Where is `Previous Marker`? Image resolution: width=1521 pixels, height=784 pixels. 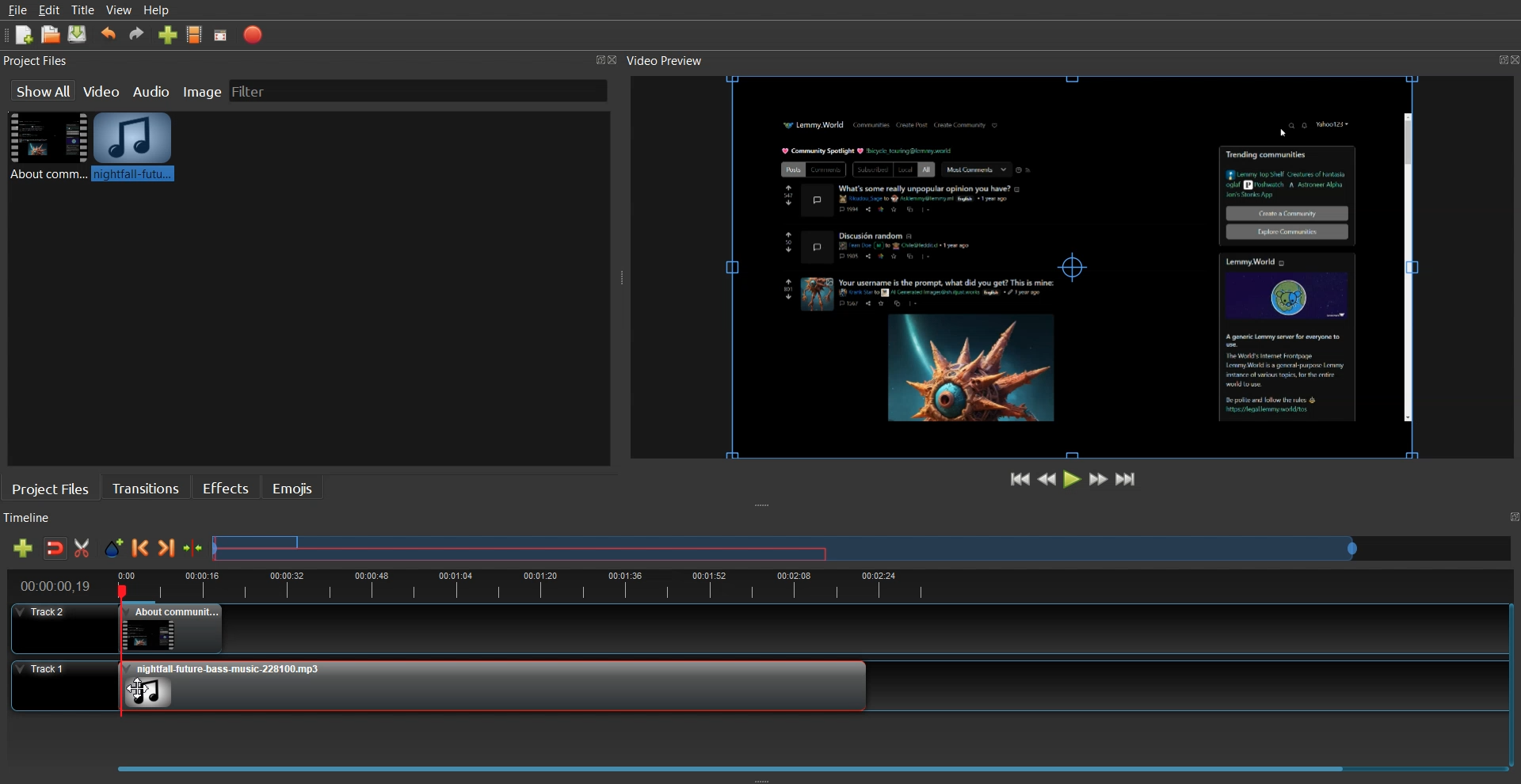 Previous Marker is located at coordinates (140, 547).